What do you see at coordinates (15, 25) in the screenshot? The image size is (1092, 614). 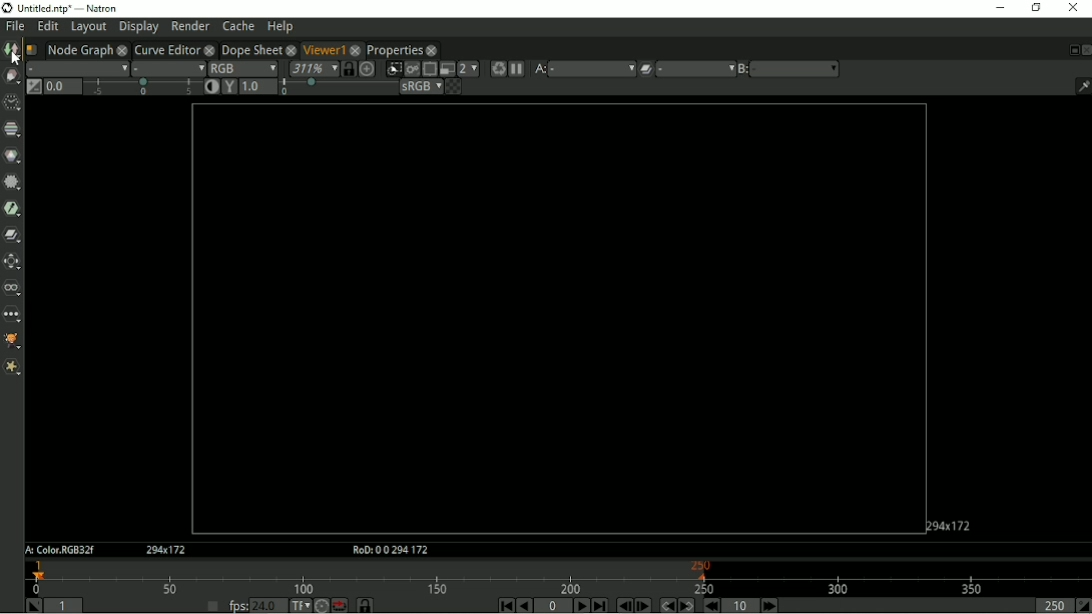 I see `File` at bounding box center [15, 25].